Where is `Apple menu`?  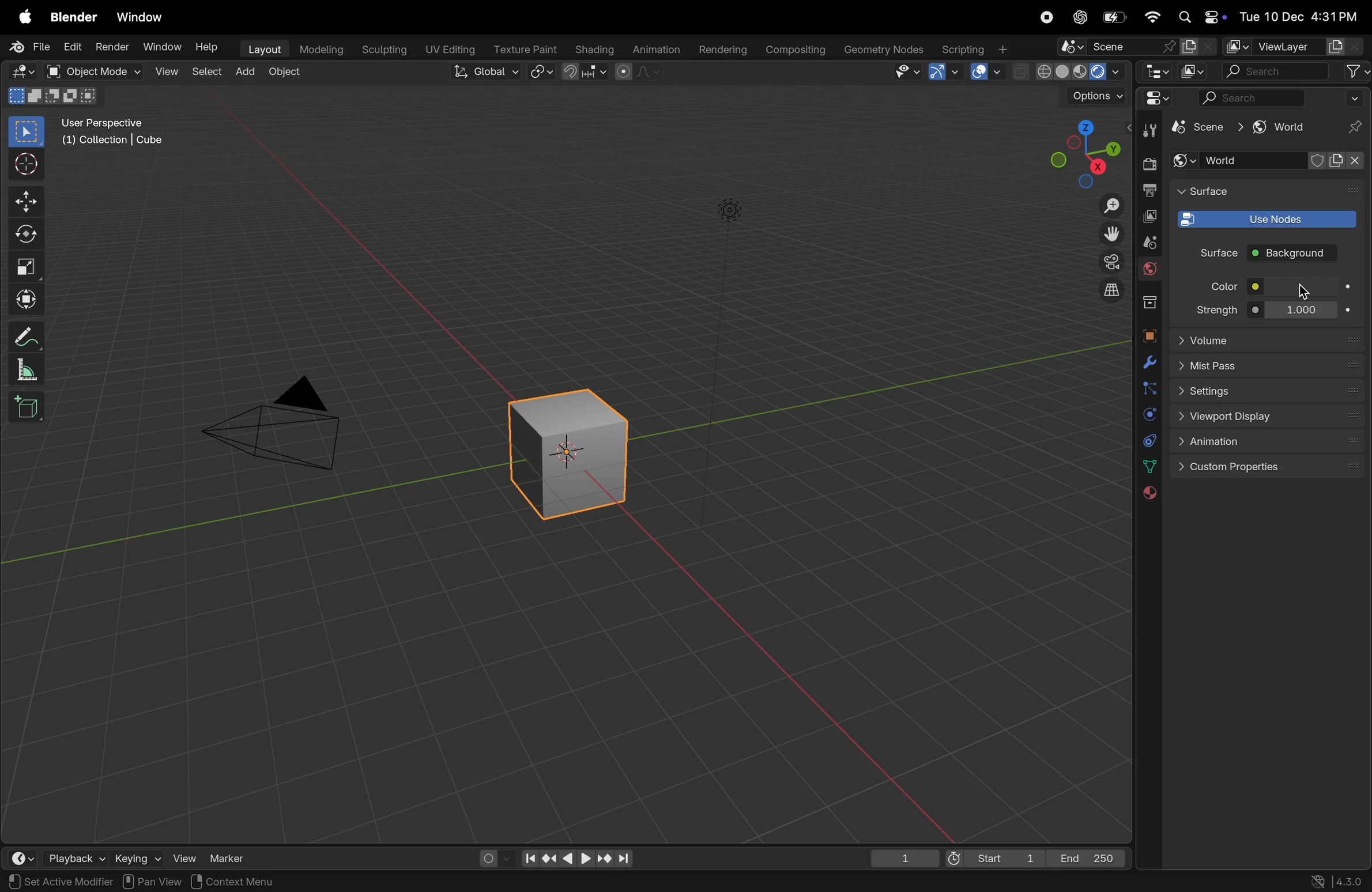 Apple menu is located at coordinates (24, 16).